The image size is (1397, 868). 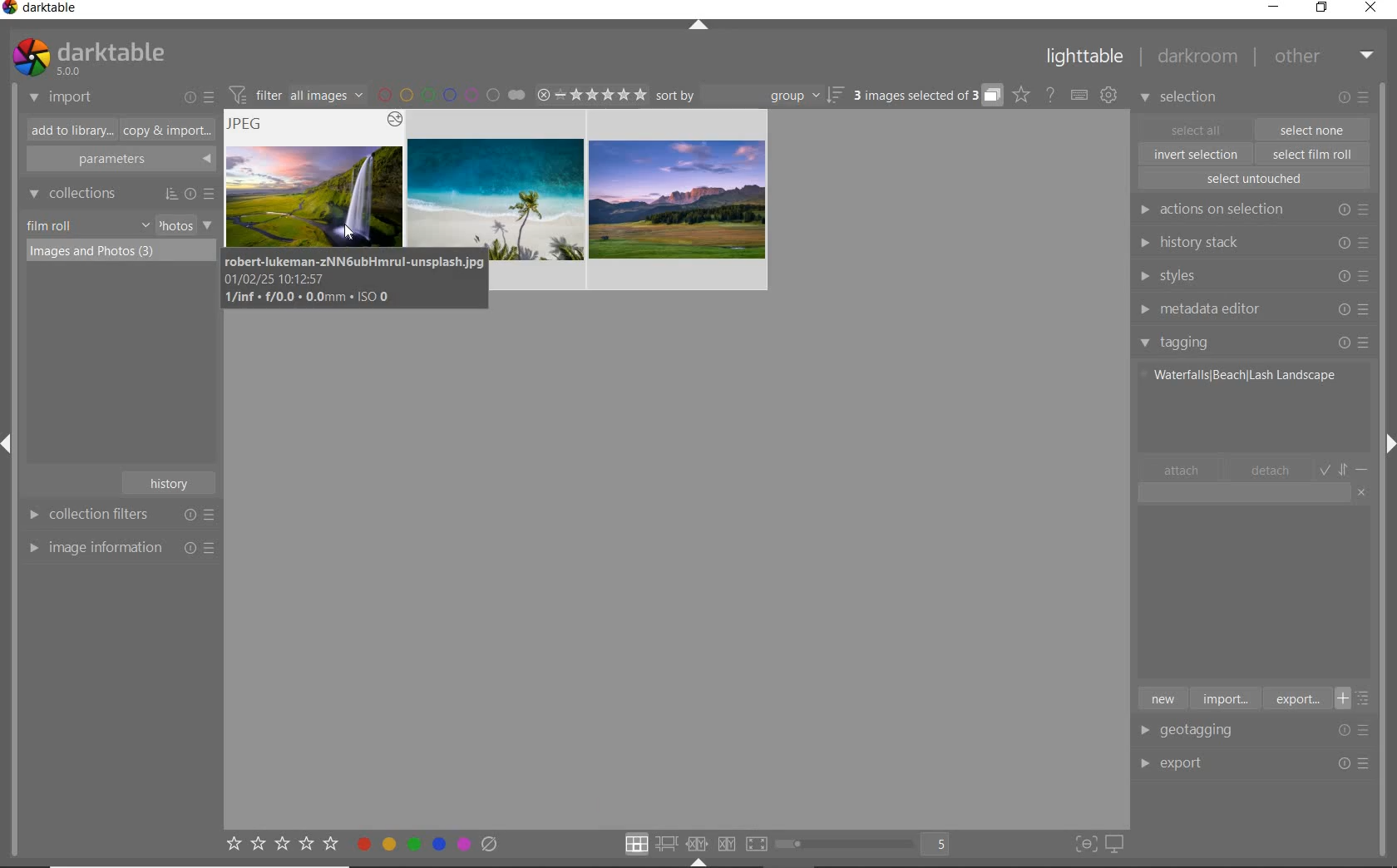 I want to click on toggle list, so click(x=1358, y=698).